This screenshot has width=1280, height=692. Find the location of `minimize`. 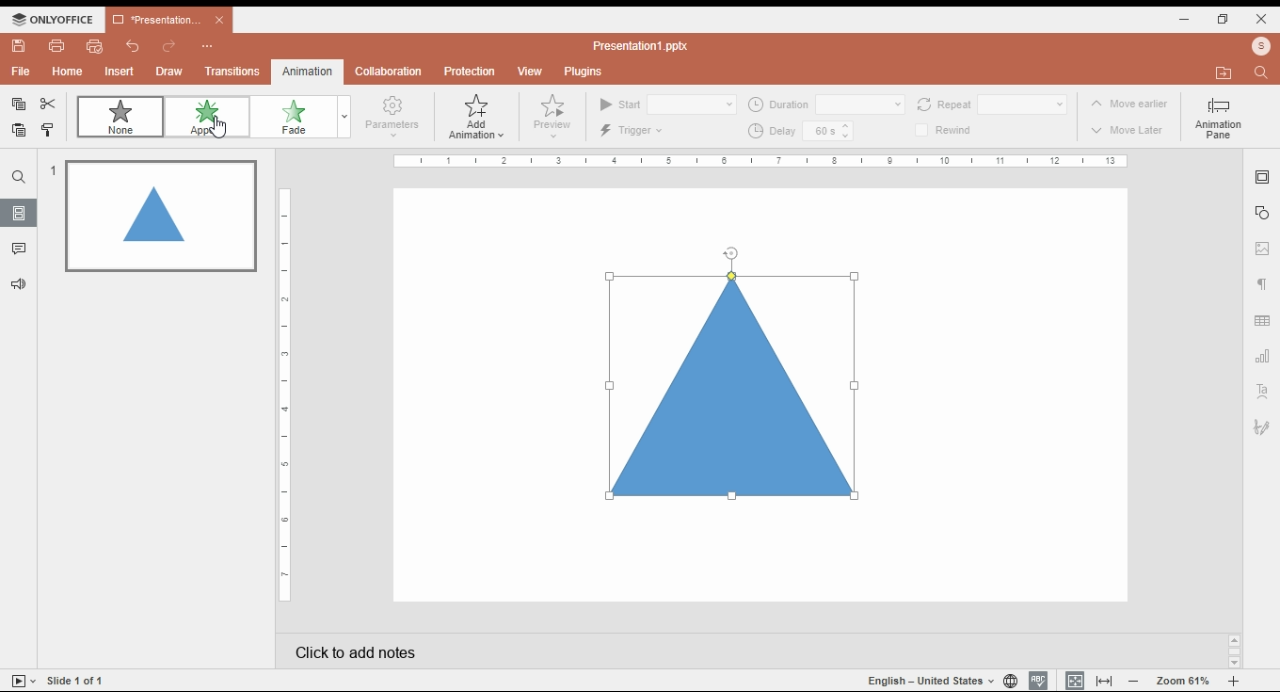

minimize is located at coordinates (1185, 20).